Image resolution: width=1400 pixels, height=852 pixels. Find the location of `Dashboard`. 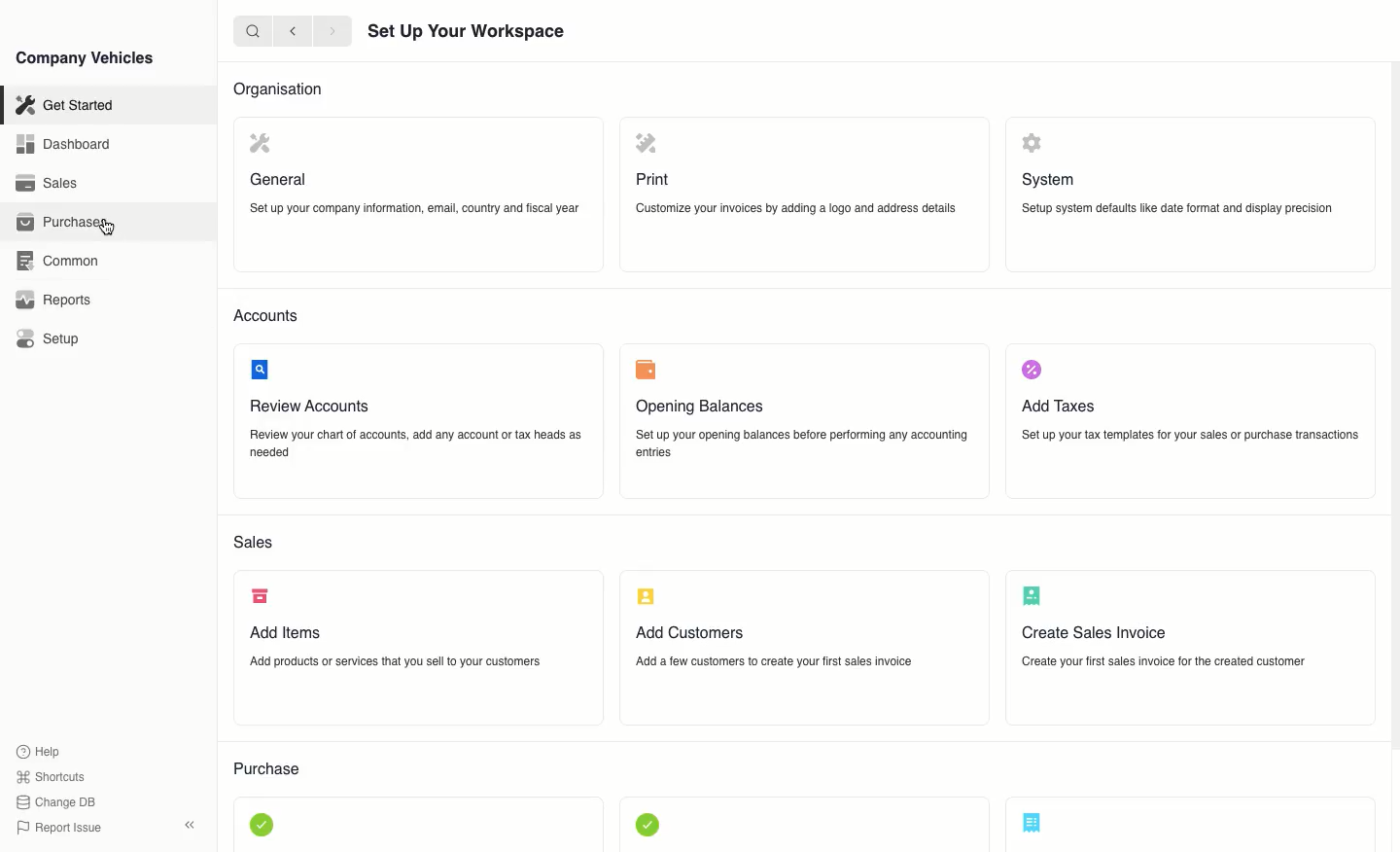

Dashboard is located at coordinates (65, 146).